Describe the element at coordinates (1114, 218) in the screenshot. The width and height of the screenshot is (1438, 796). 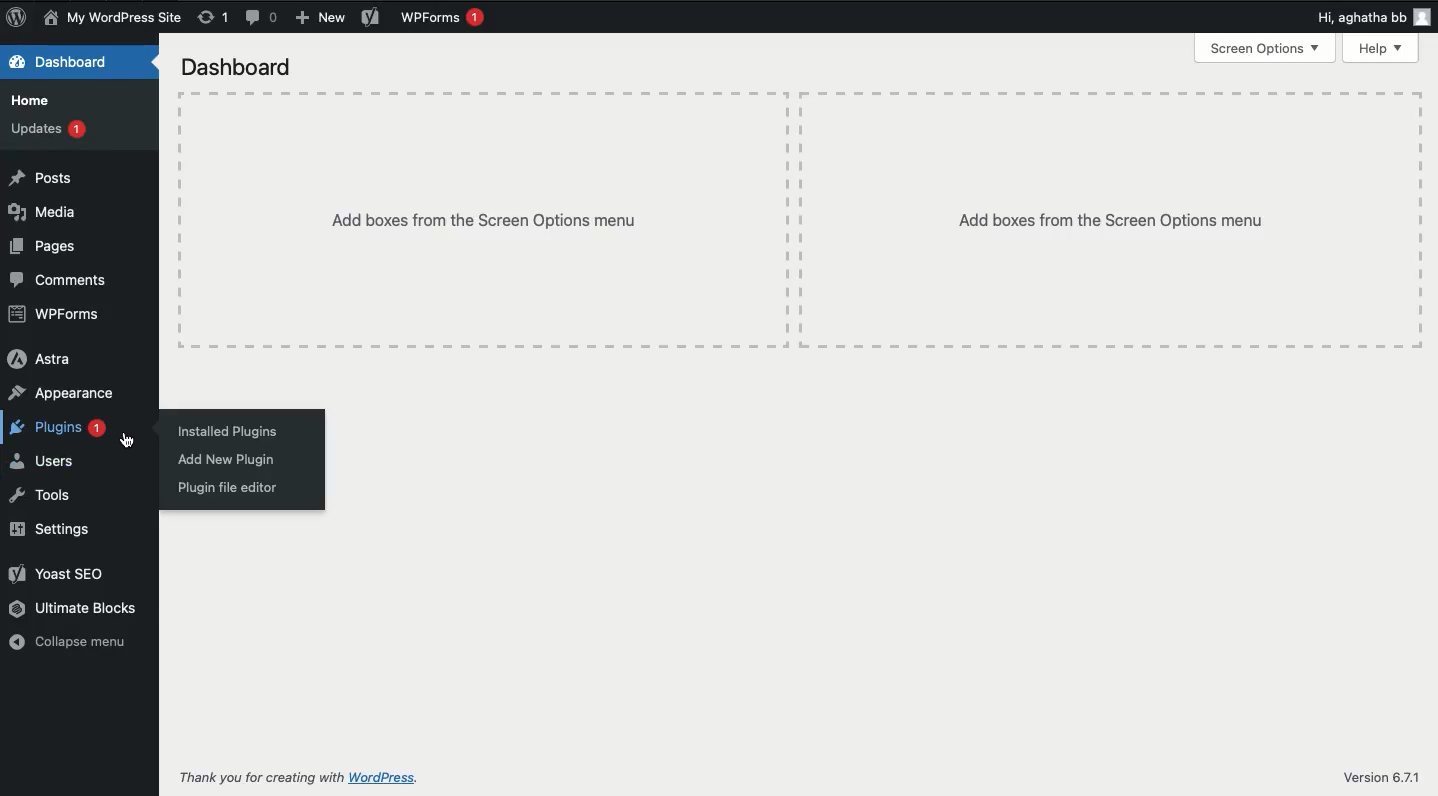
I see `Add boxes from the Screen options menu` at that location.